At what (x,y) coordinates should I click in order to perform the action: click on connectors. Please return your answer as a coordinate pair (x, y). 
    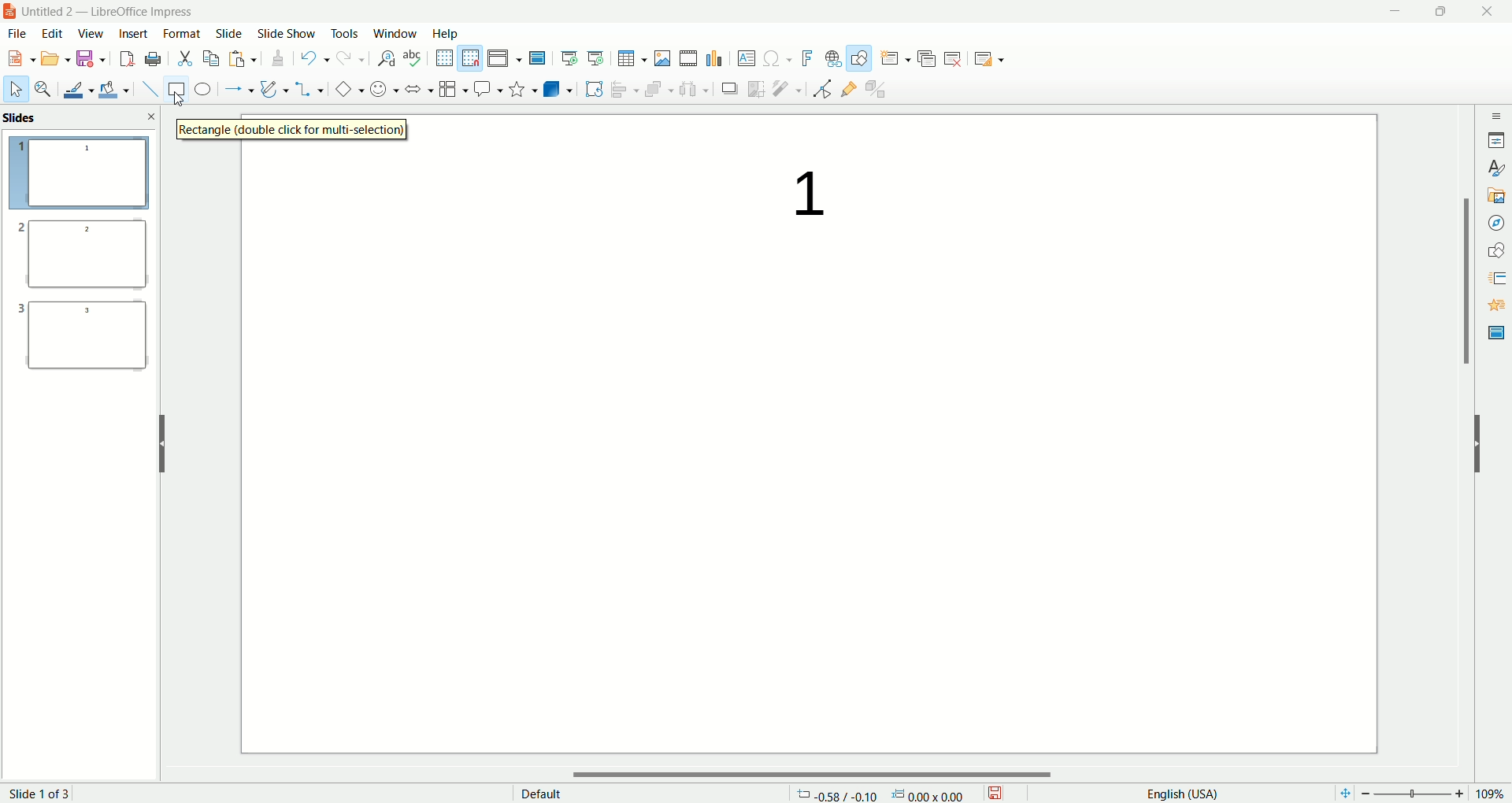
    Looking at the image, I should click on (309, 89).